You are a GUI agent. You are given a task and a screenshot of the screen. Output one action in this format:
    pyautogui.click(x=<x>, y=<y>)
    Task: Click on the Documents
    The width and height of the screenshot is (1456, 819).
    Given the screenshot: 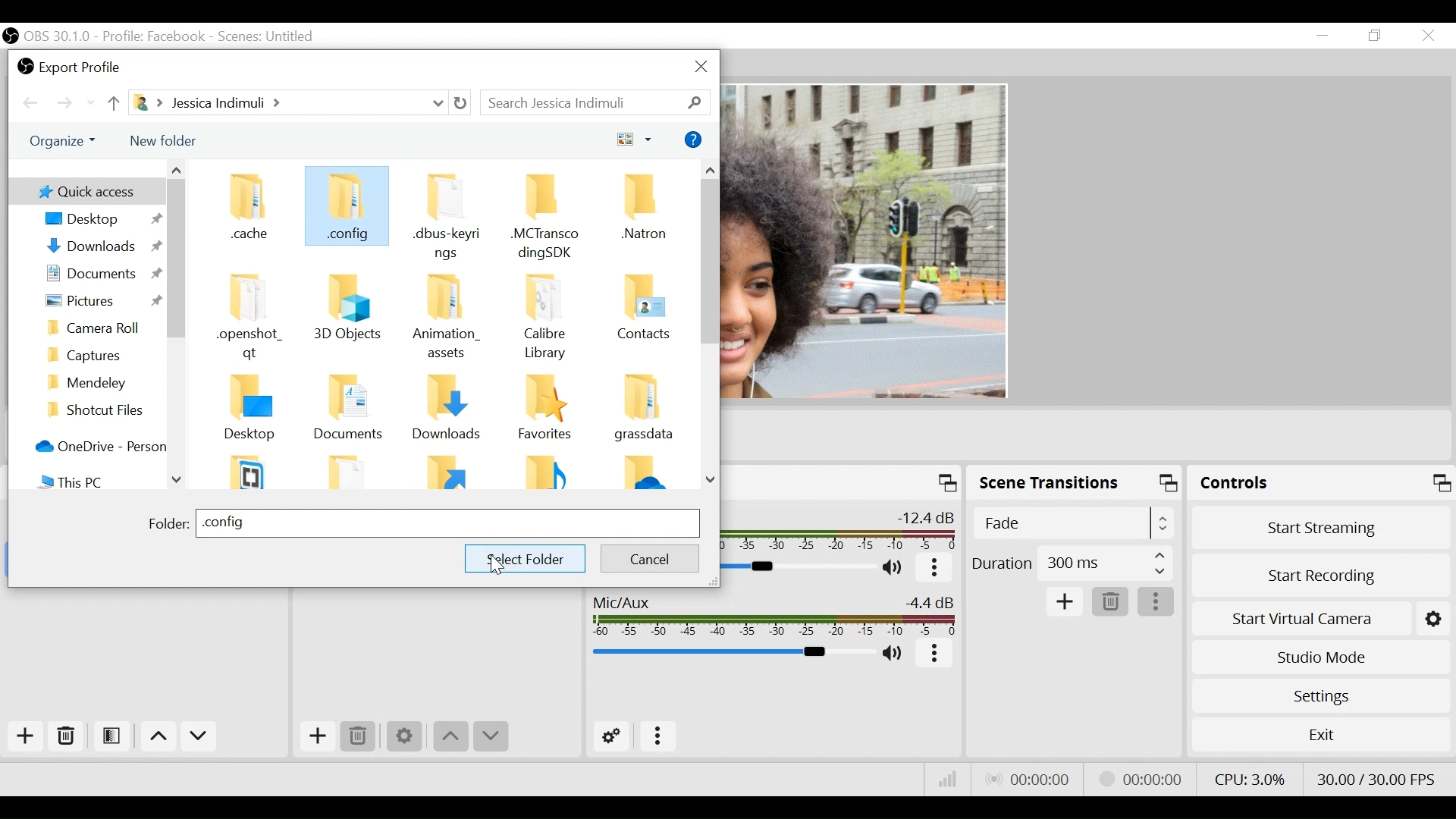 What is the action you would take?
    pyautogui.click(x=99, y=275)
    